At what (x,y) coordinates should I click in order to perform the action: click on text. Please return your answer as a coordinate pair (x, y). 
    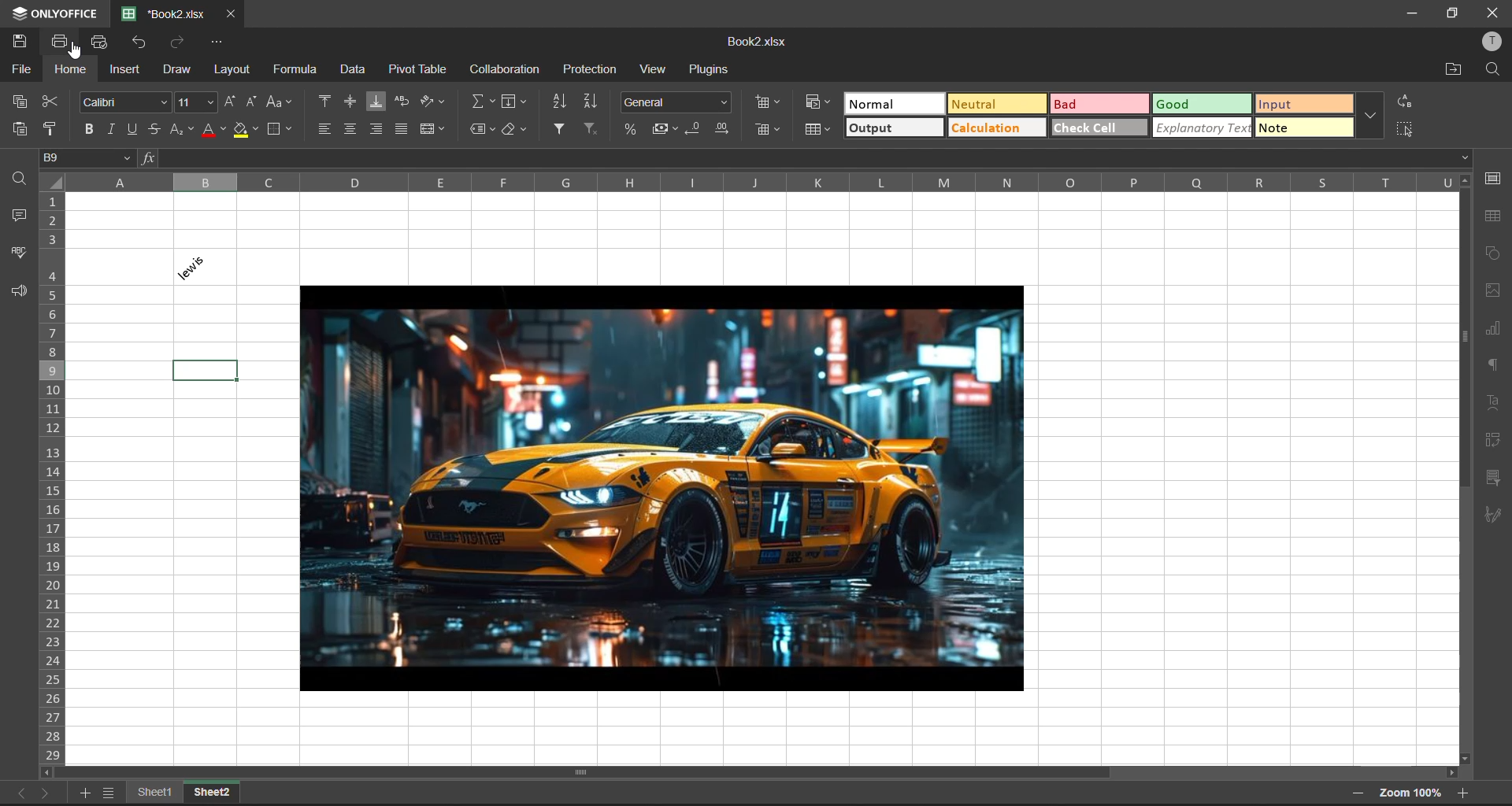
    Looking at the image, I should click on (1493, 400).